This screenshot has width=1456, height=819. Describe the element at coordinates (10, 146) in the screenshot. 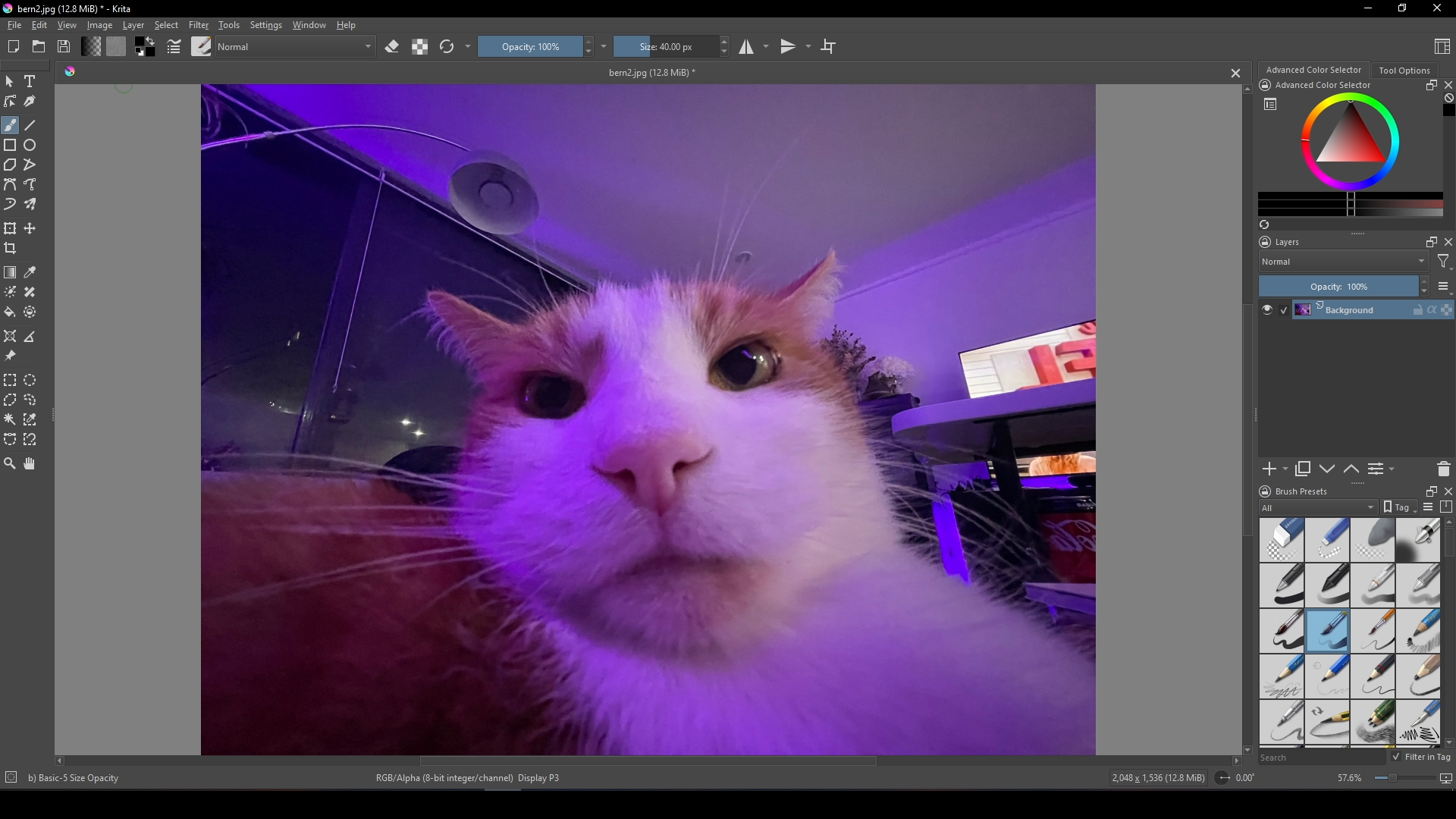

I see `Rectangle tool` at that location.